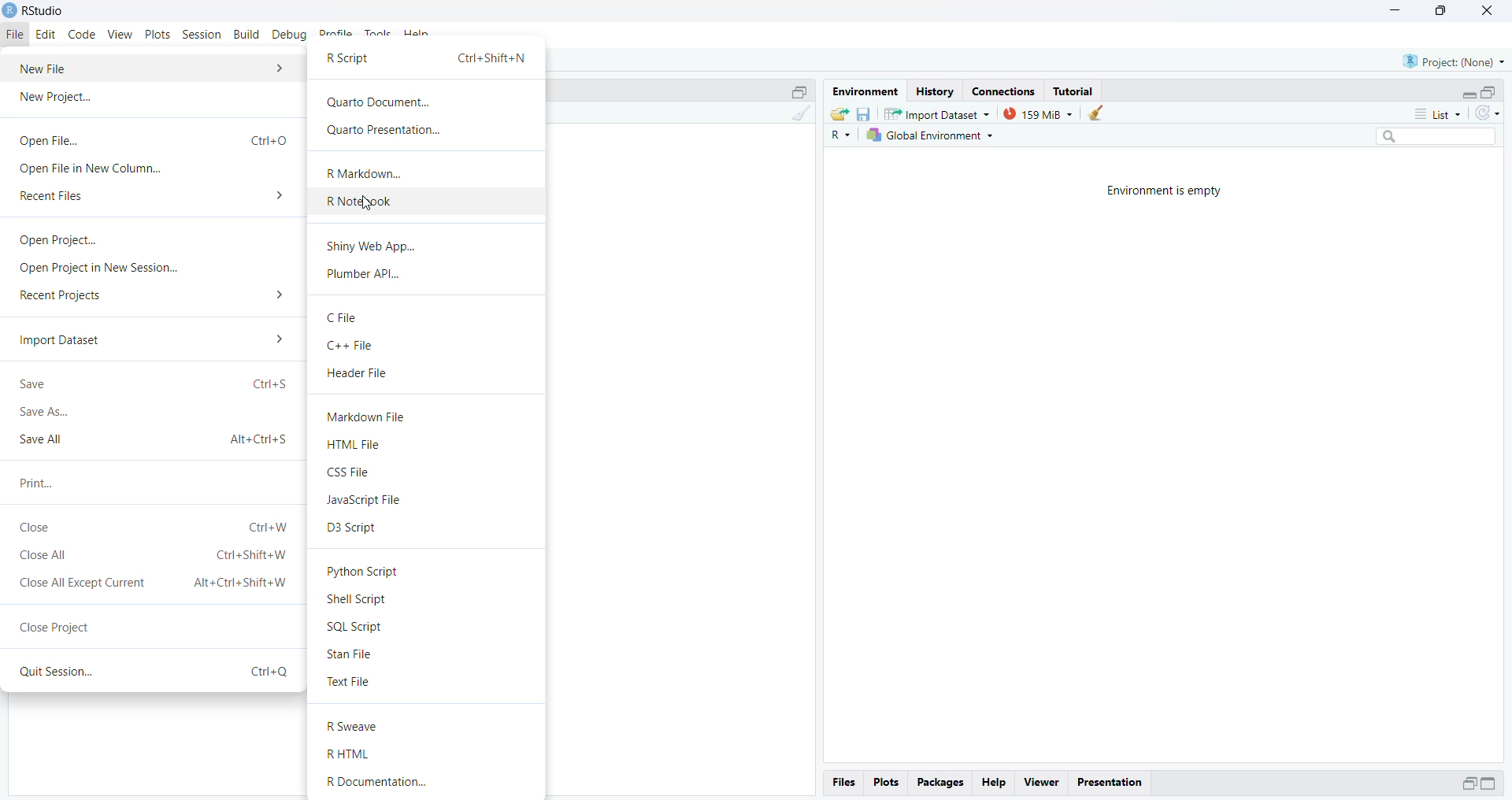  Describe the element at coordinates (92, 170) in the screenshot. I see `Open File in New Column...` at that location.